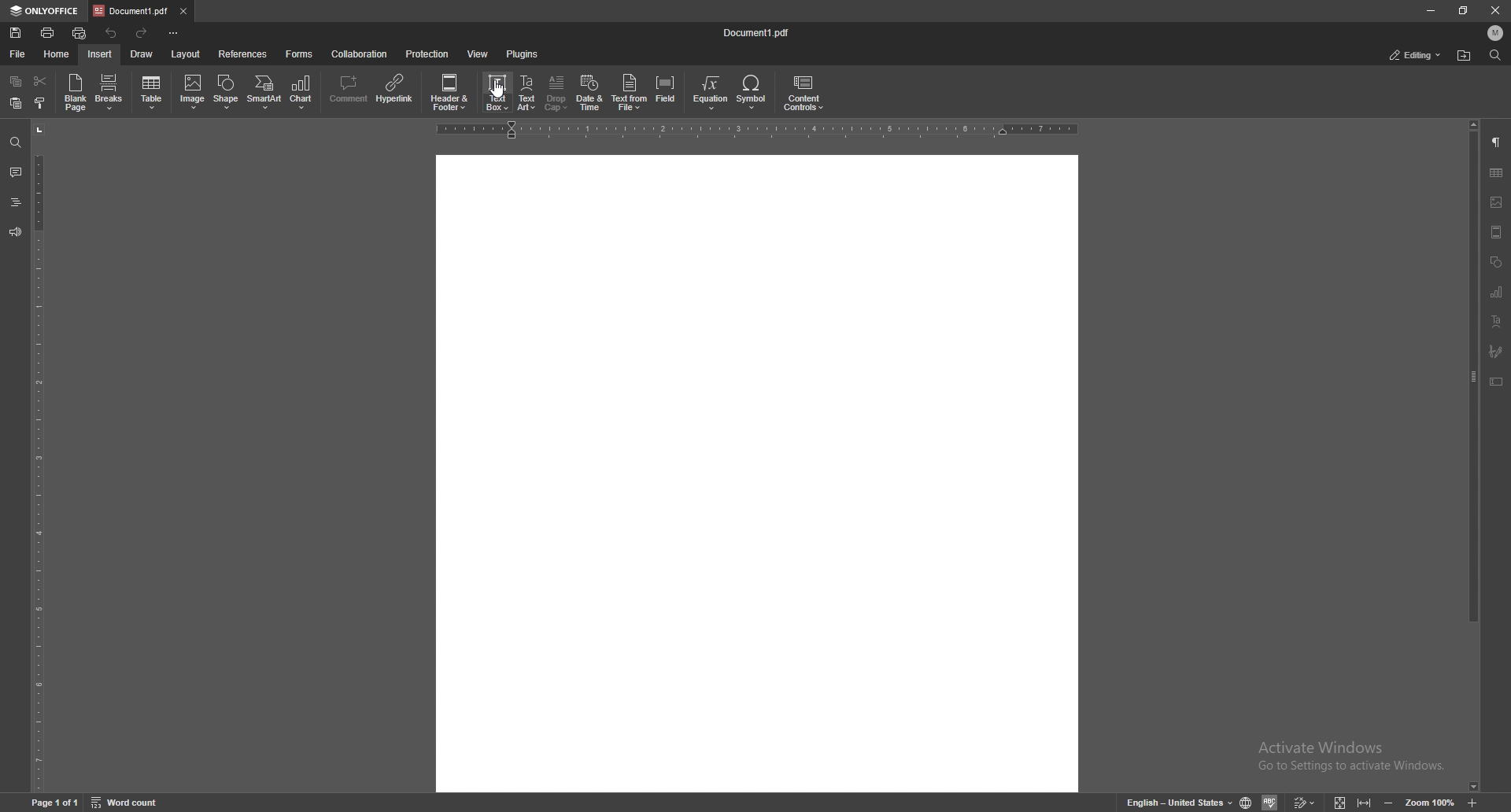 This screenshot has width=1511, height=812. What do you see at coordinates (14, 143) in the screenshot?
I see `find` at bounding box center [14, 143].